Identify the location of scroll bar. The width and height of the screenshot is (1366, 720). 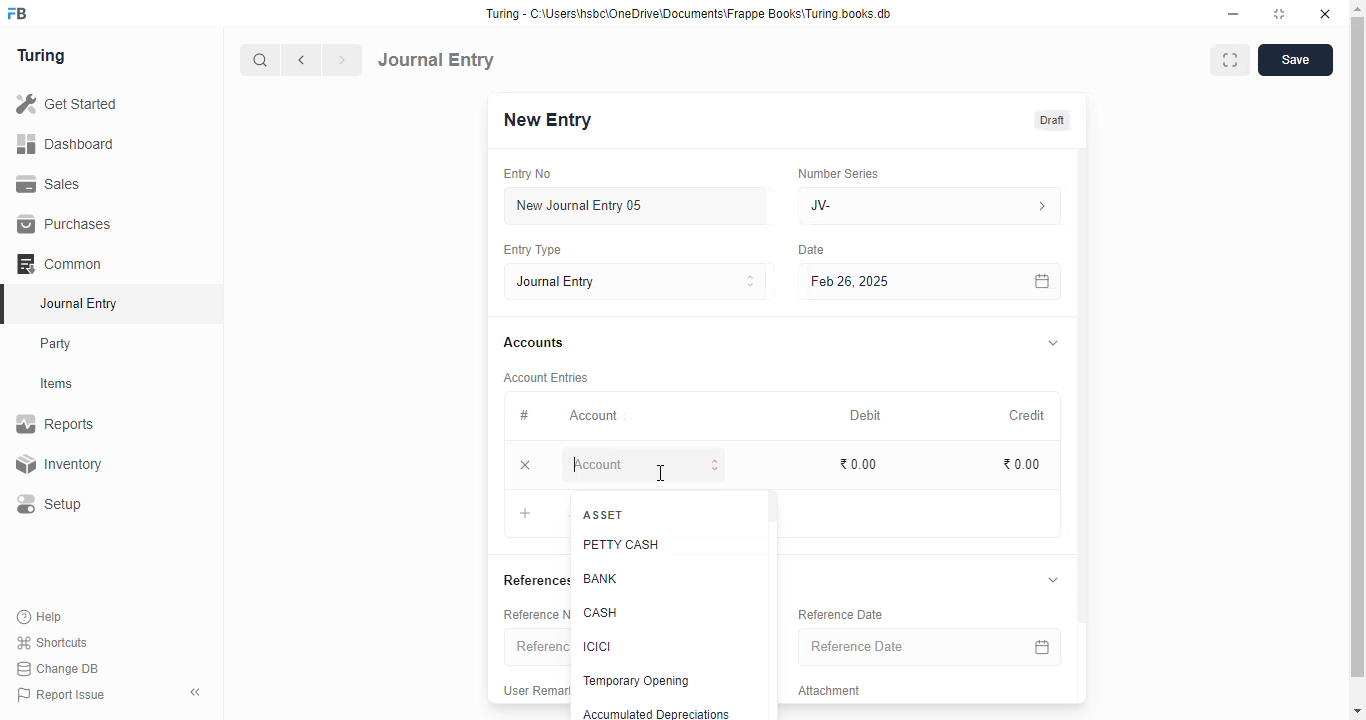
(773, 603).